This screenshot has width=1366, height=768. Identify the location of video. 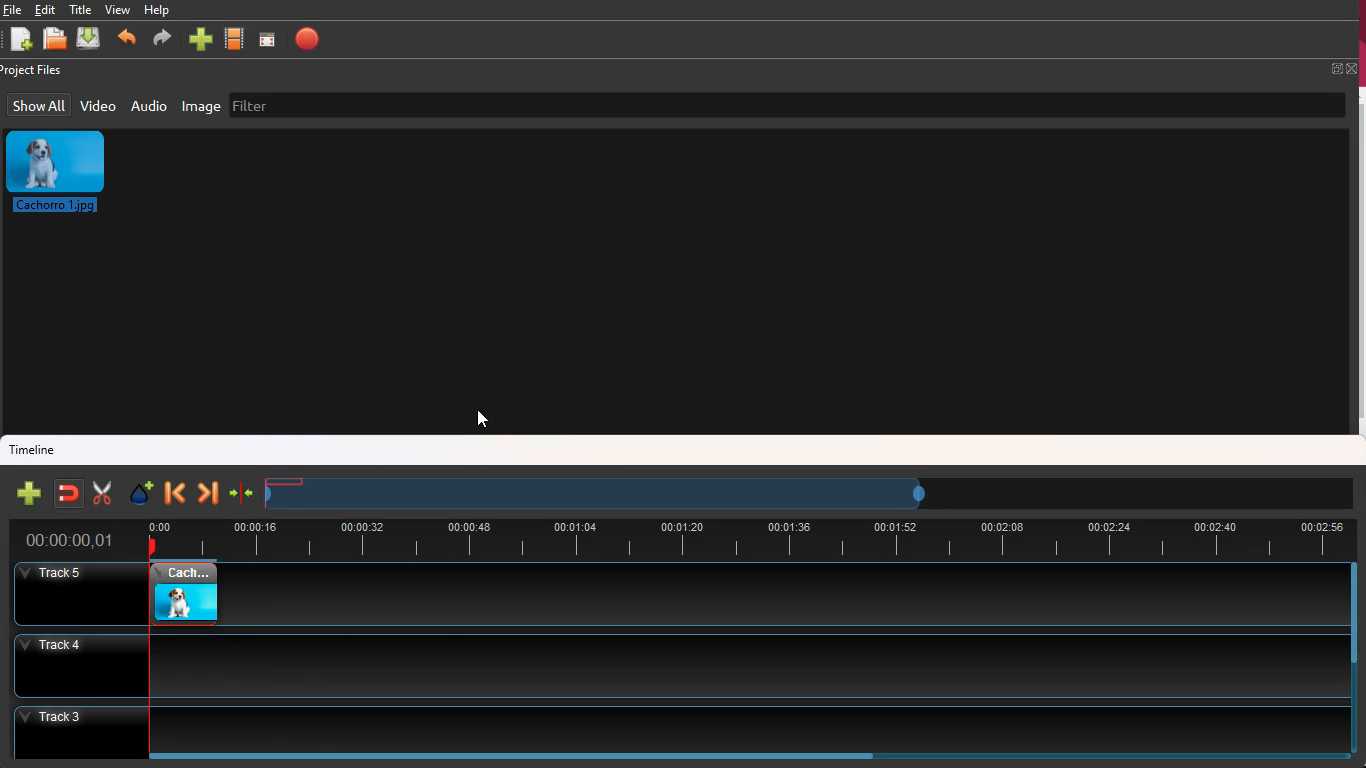
(96, 108).